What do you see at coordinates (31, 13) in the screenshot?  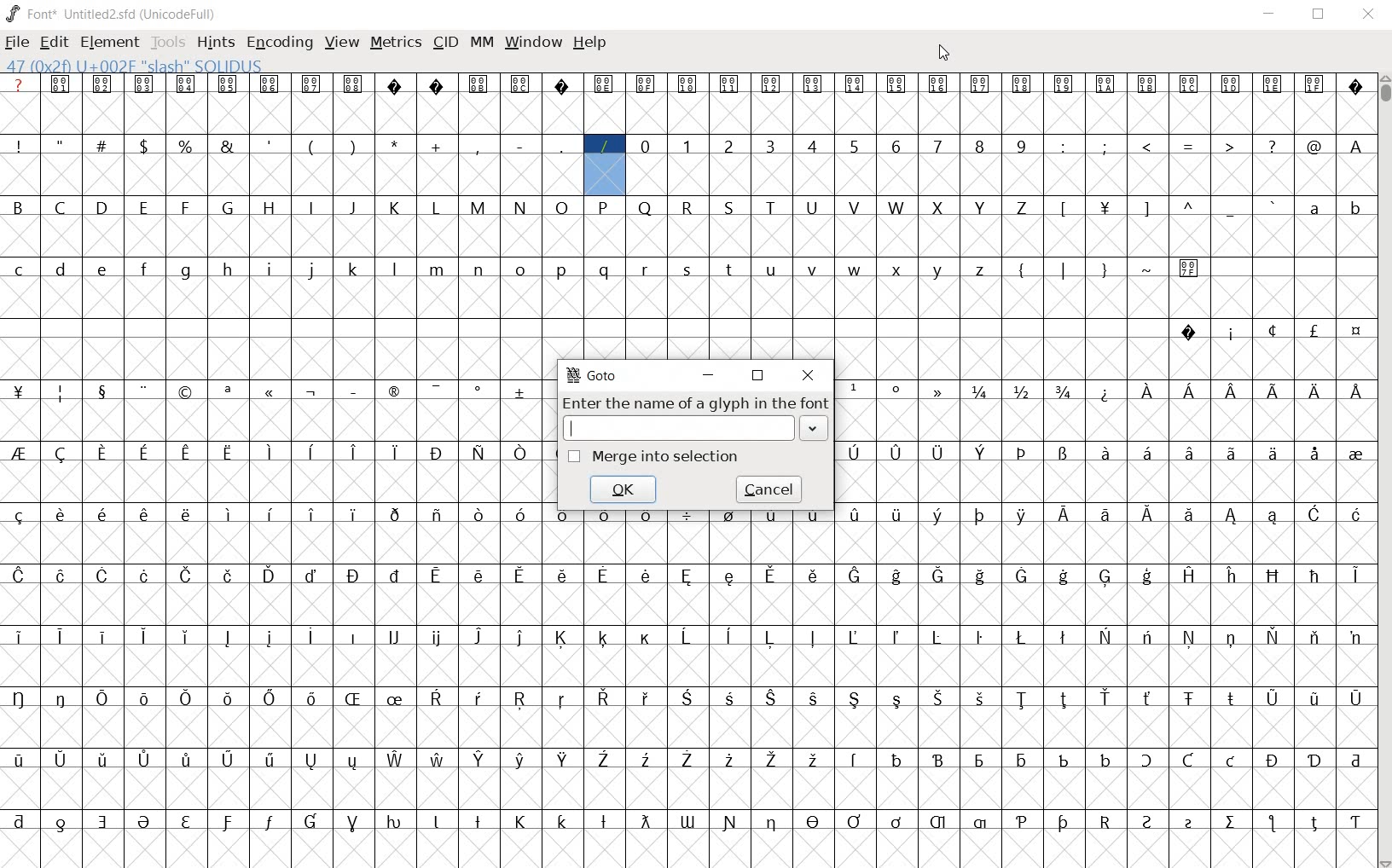 I see `FONT` at bounding box center [31, 13].